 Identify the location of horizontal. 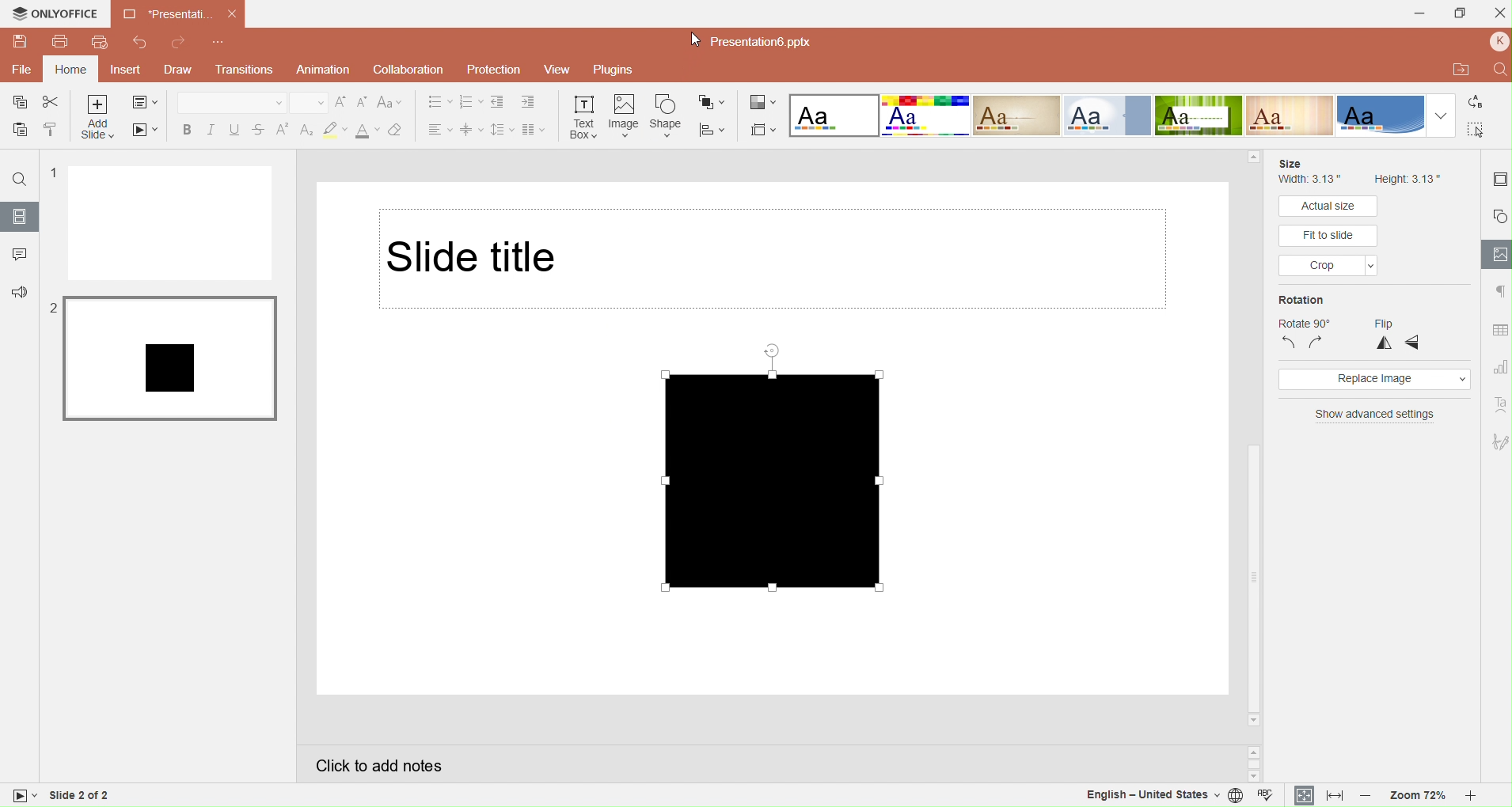
(1411, 343).